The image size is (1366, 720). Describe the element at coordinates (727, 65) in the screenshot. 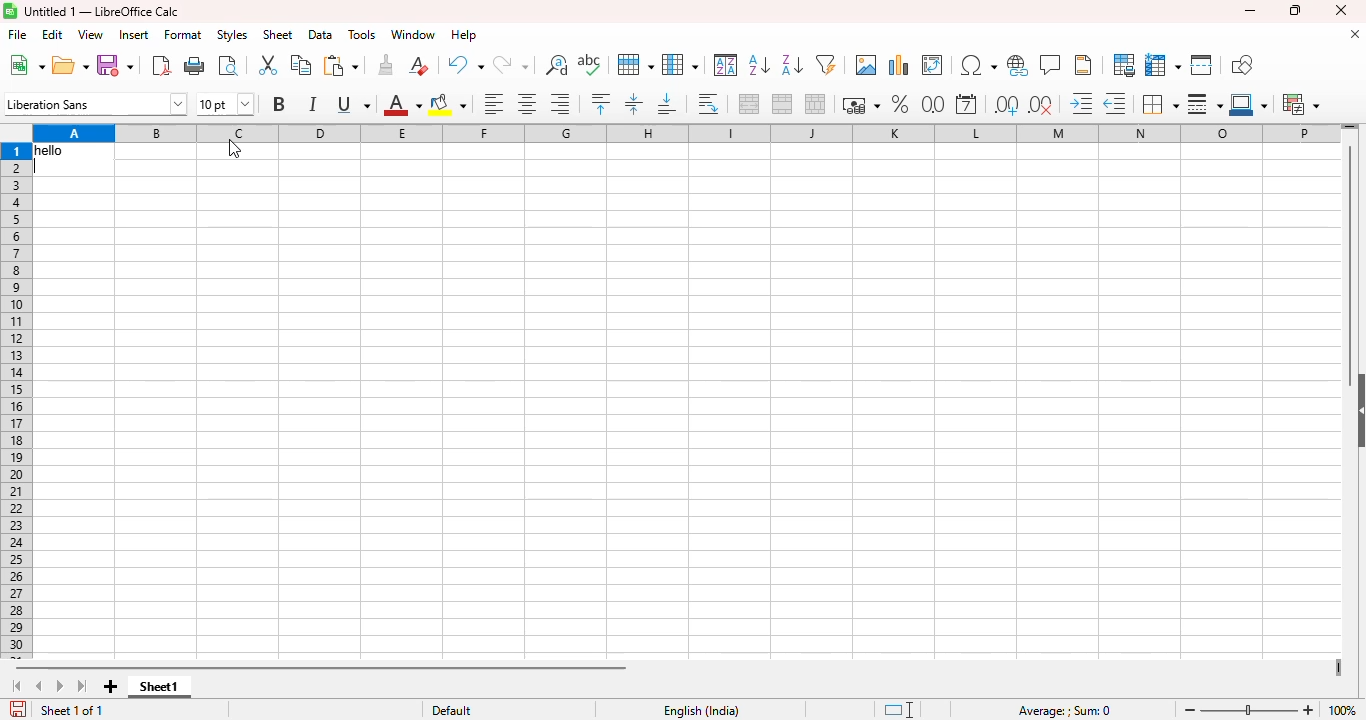

I see `sort` at that location.